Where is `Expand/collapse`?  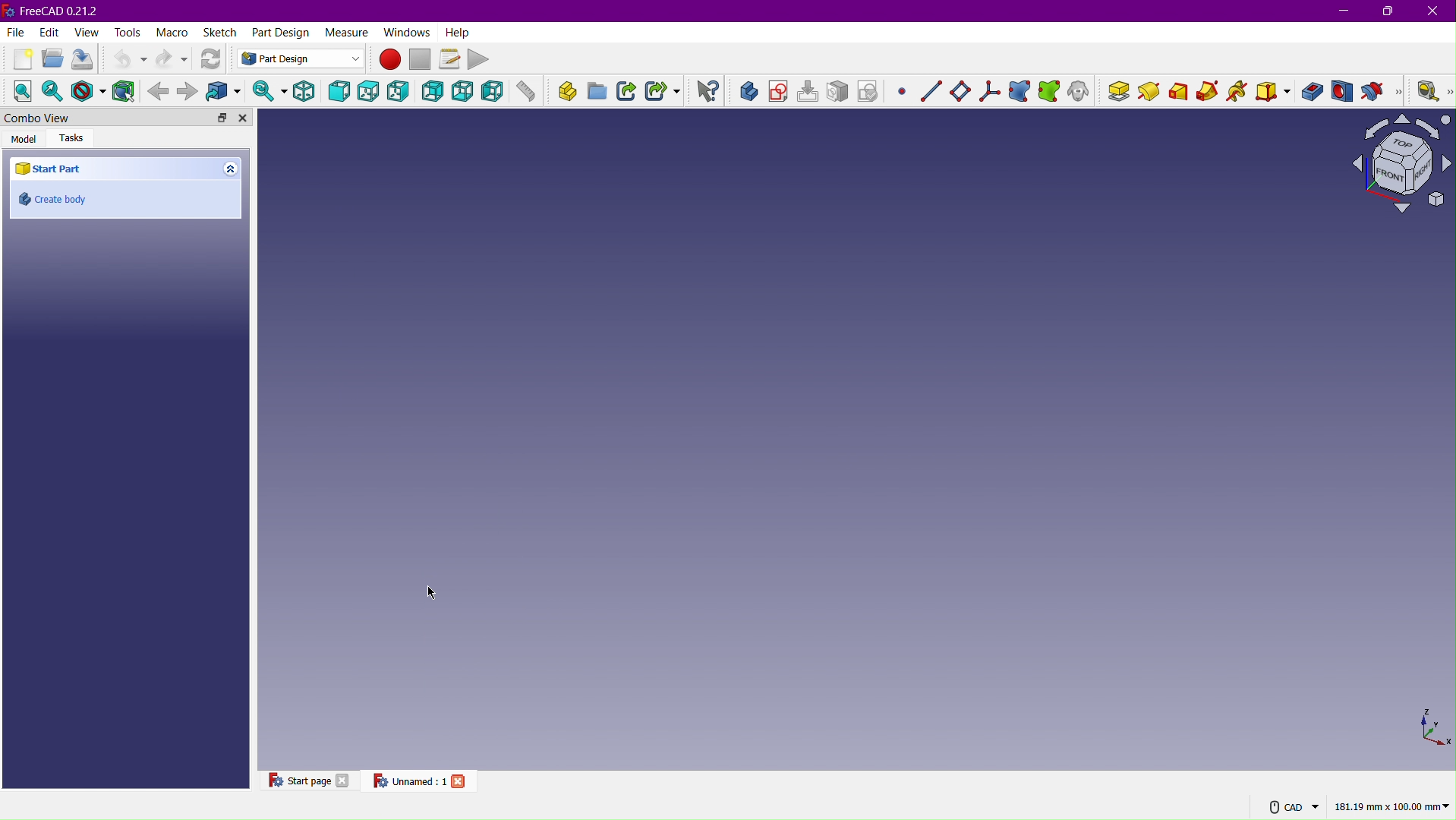 Expand/collapse is located at coordinates (233, 166).